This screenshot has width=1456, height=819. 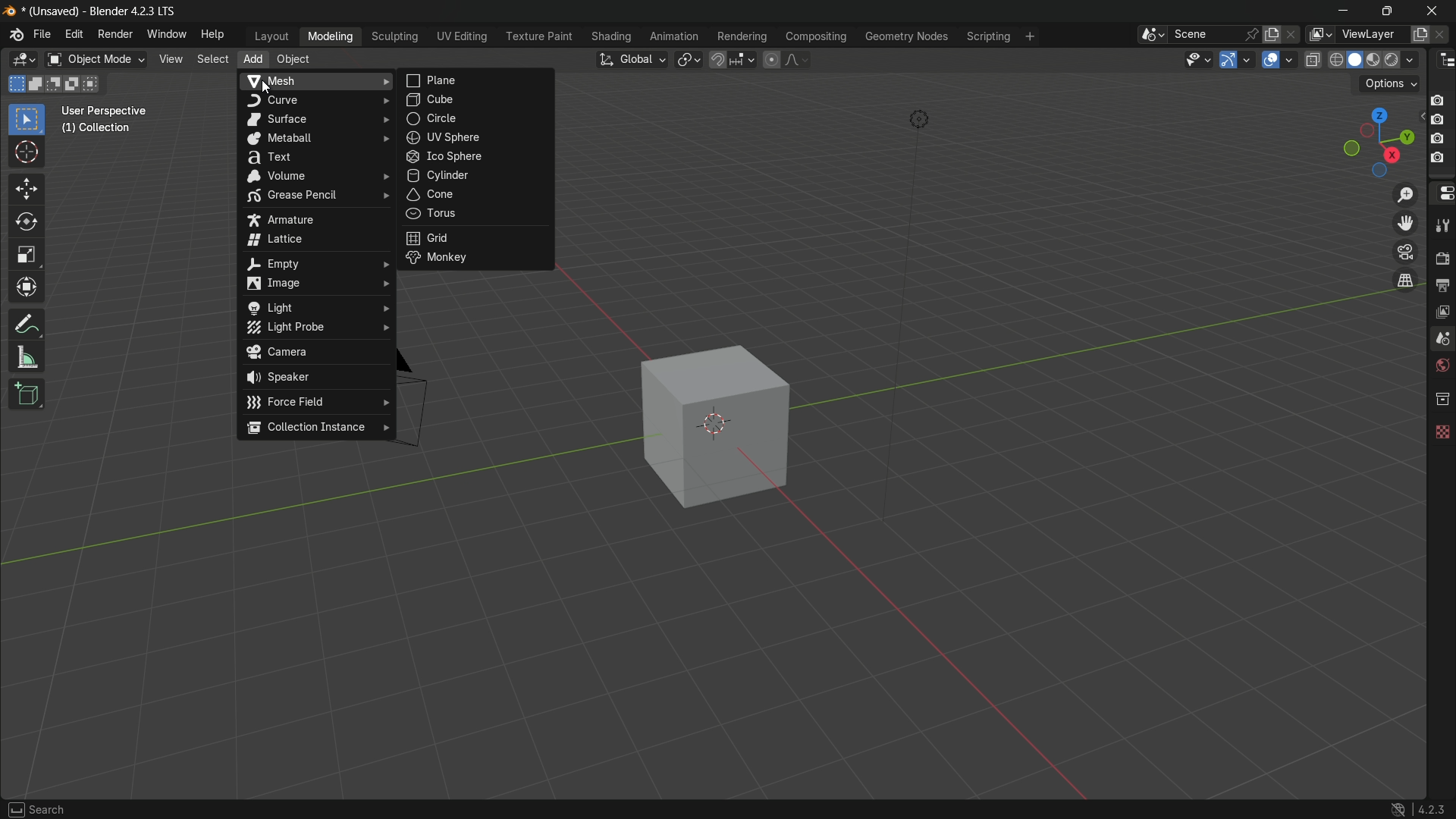 What do you see at coordinates (477, 239) in the screenshot?
I see `grid` at bounding box center [477, 239].